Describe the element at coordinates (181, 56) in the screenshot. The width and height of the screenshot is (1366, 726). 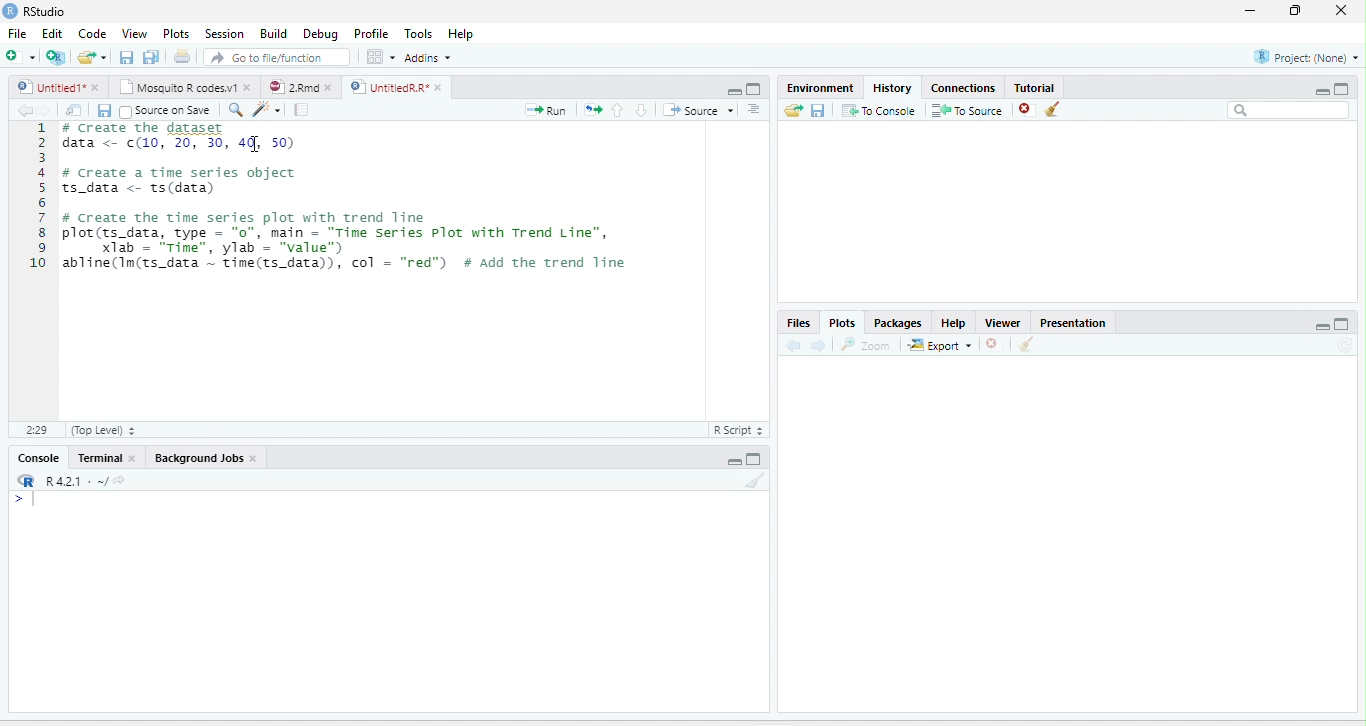
I see `Print the current file` at that location.